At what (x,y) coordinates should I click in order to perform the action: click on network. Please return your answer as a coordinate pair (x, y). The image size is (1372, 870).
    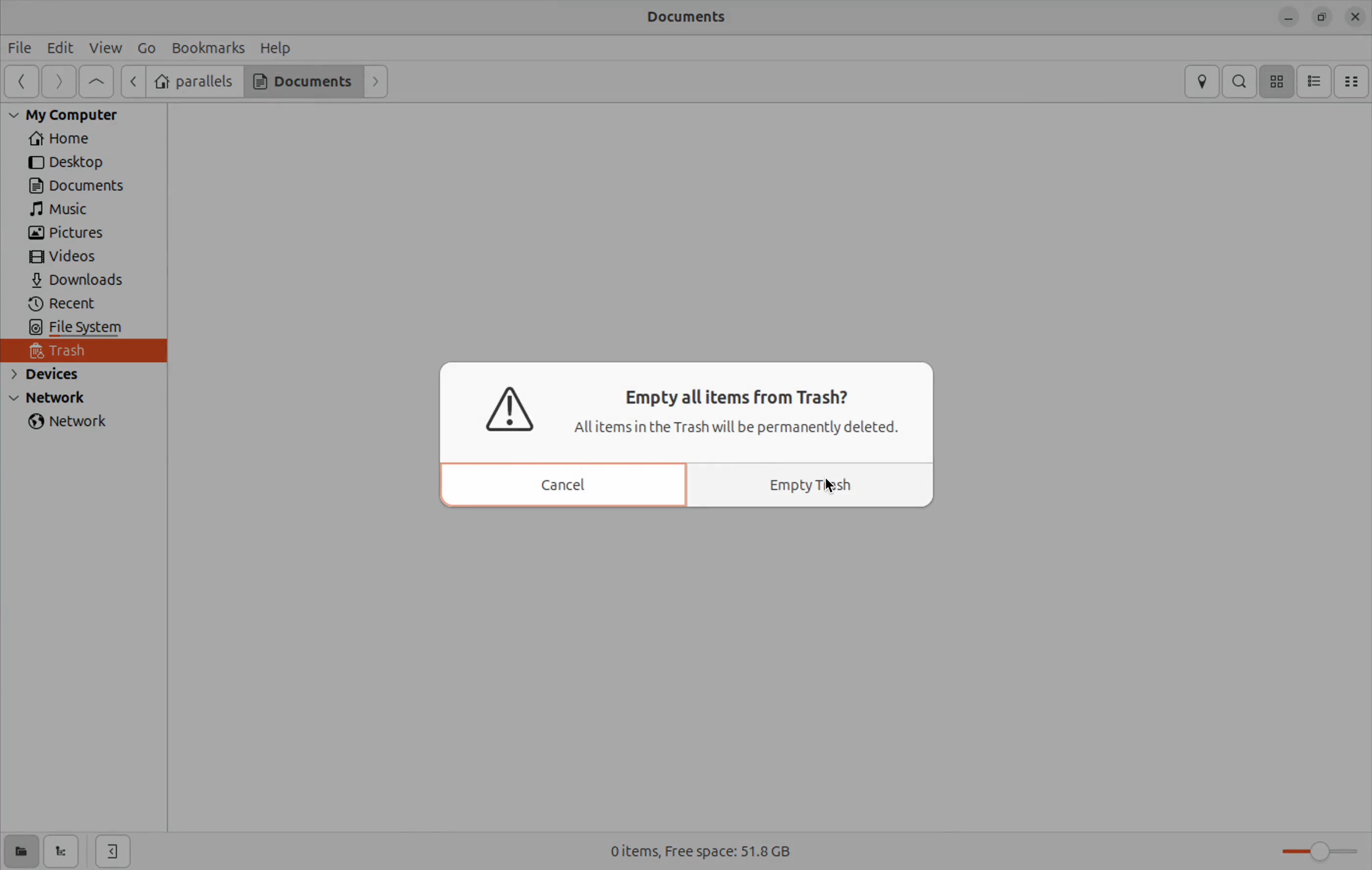
    Looking at the image, I should click on (83, 424).